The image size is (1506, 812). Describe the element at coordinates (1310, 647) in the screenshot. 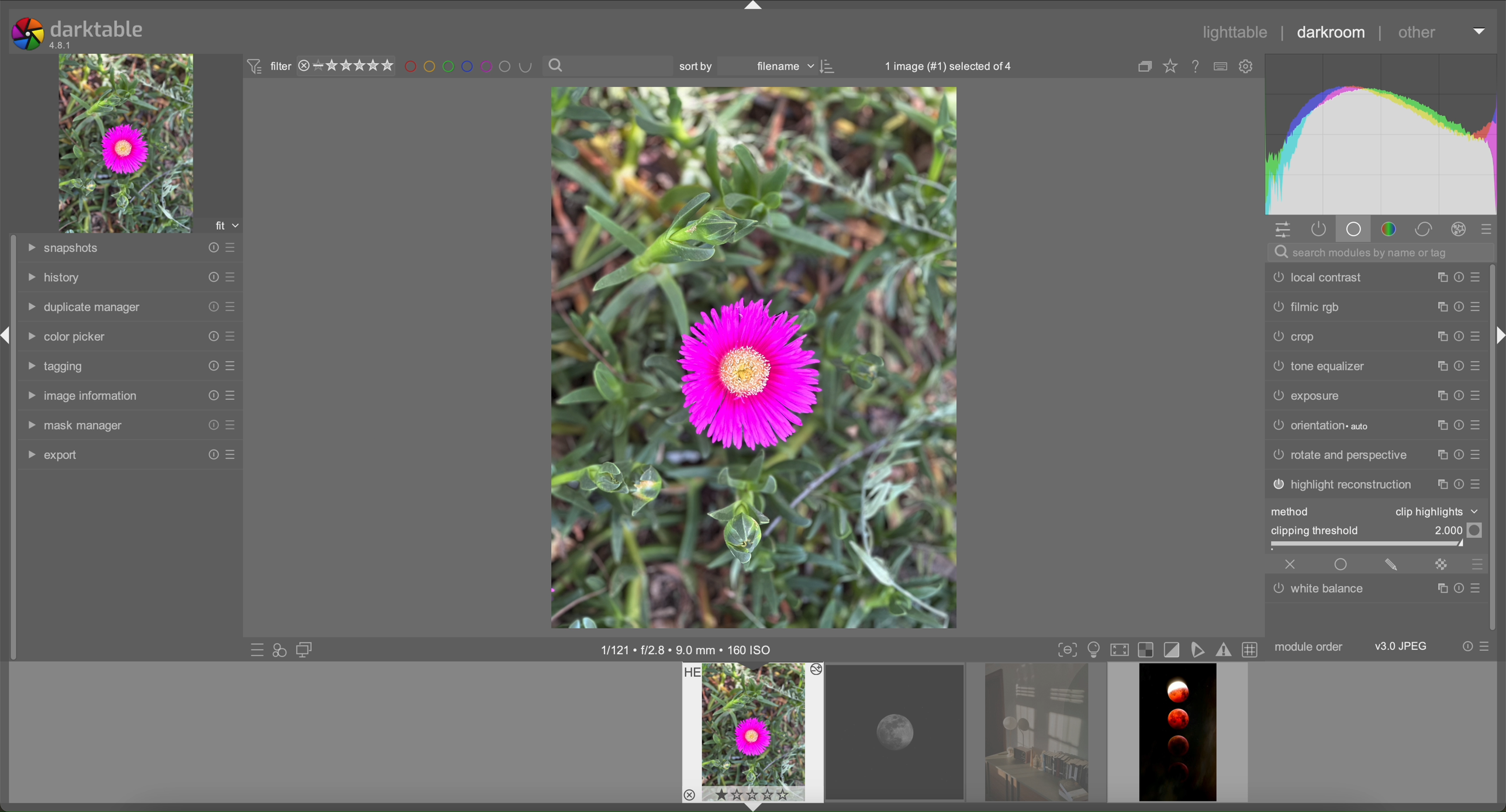

I see `module order` at that location.